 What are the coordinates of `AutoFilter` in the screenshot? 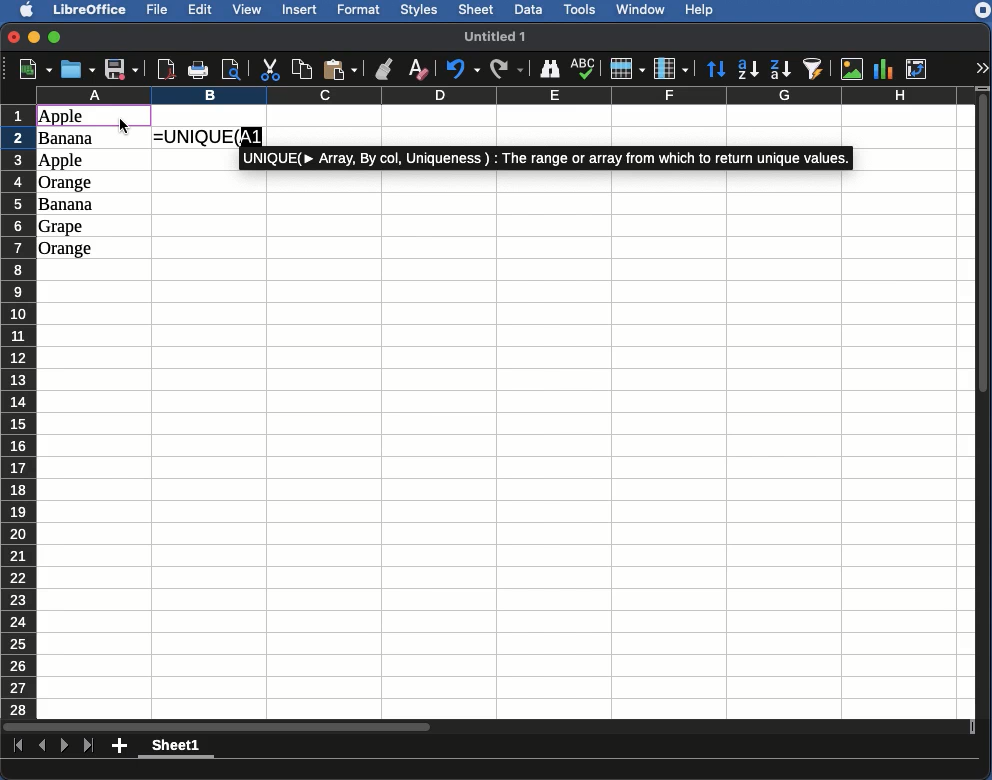 It's located at (816, 68).